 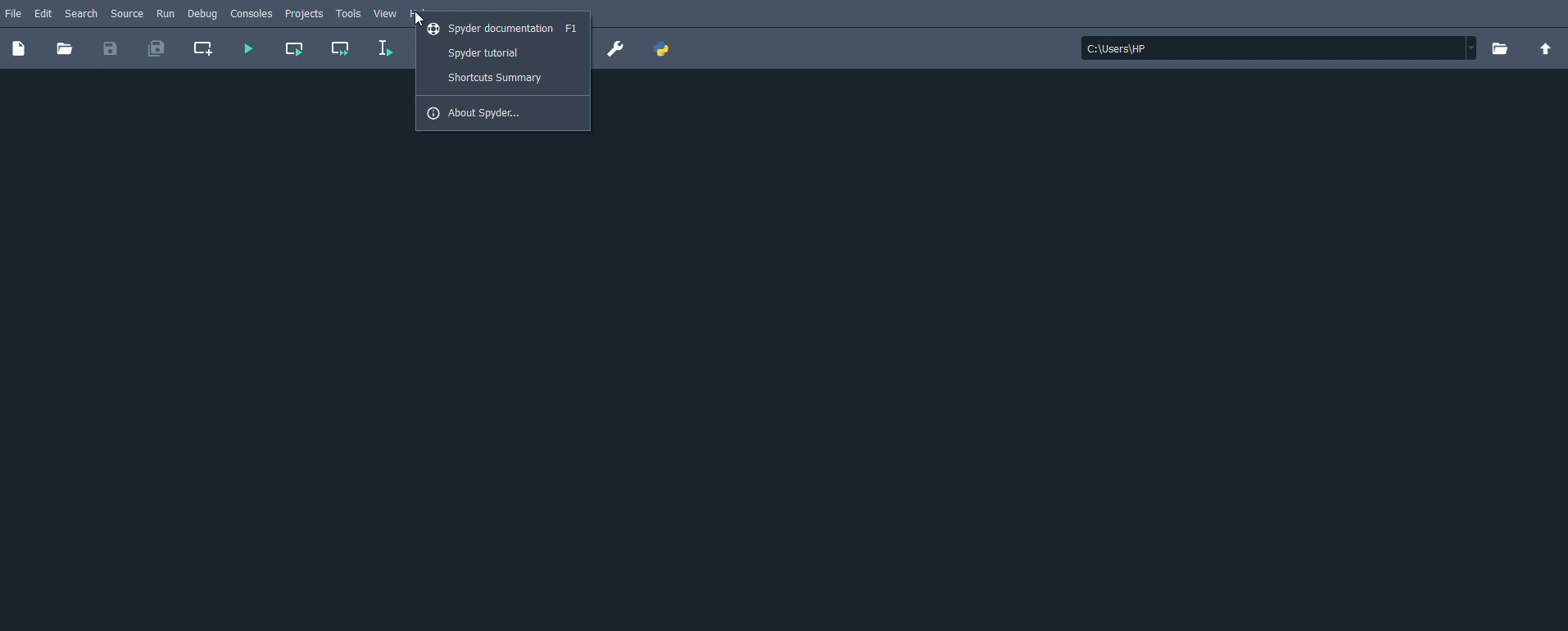 I want to click on File, so click(x=14, y=14).